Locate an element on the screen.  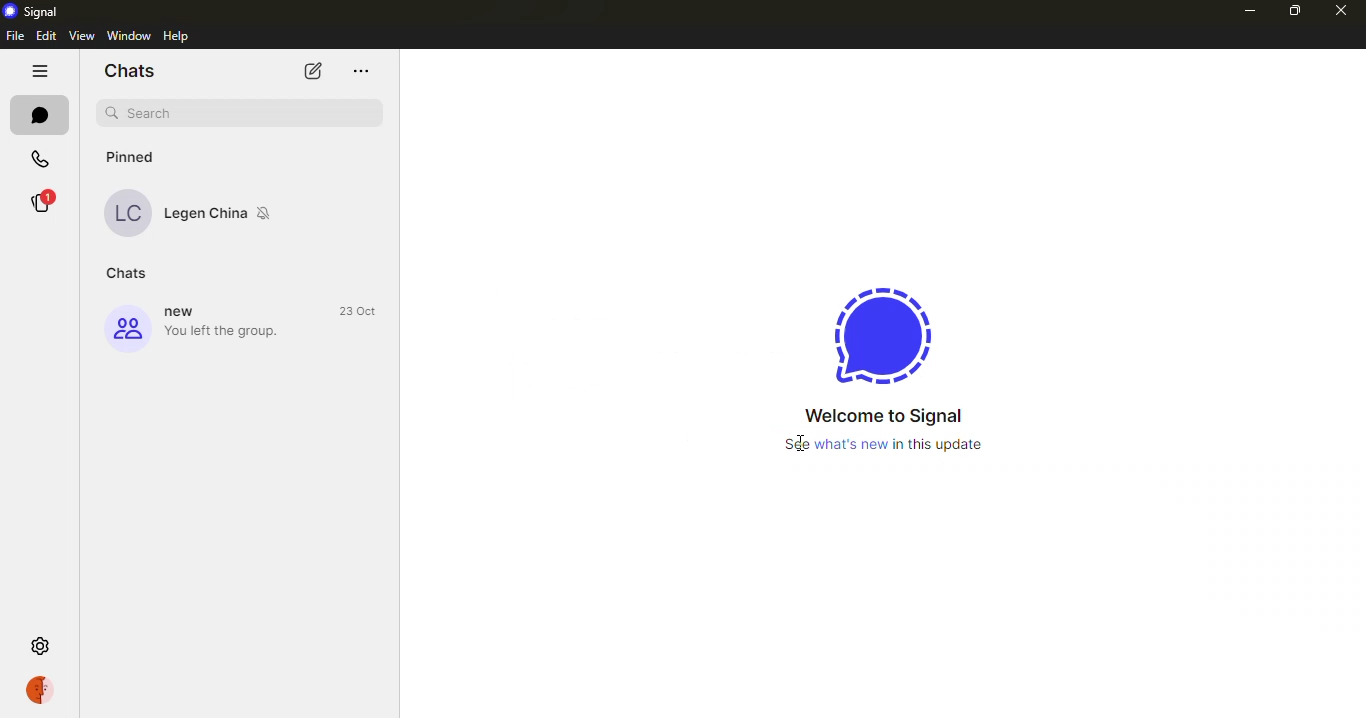
welcome is located at coordinates (884, 416).